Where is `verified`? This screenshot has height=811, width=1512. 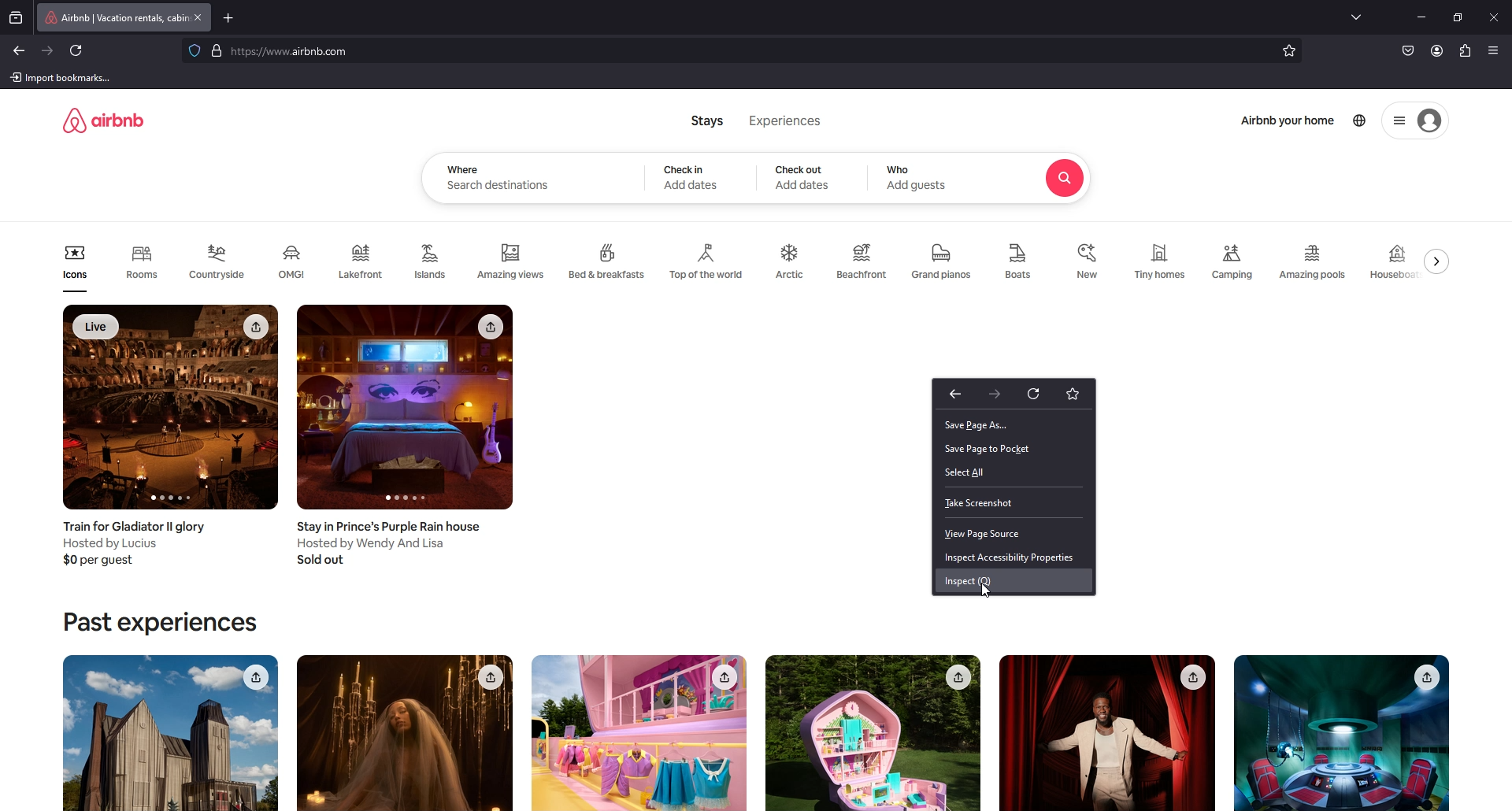 verified is located at coordinates (219, 50).